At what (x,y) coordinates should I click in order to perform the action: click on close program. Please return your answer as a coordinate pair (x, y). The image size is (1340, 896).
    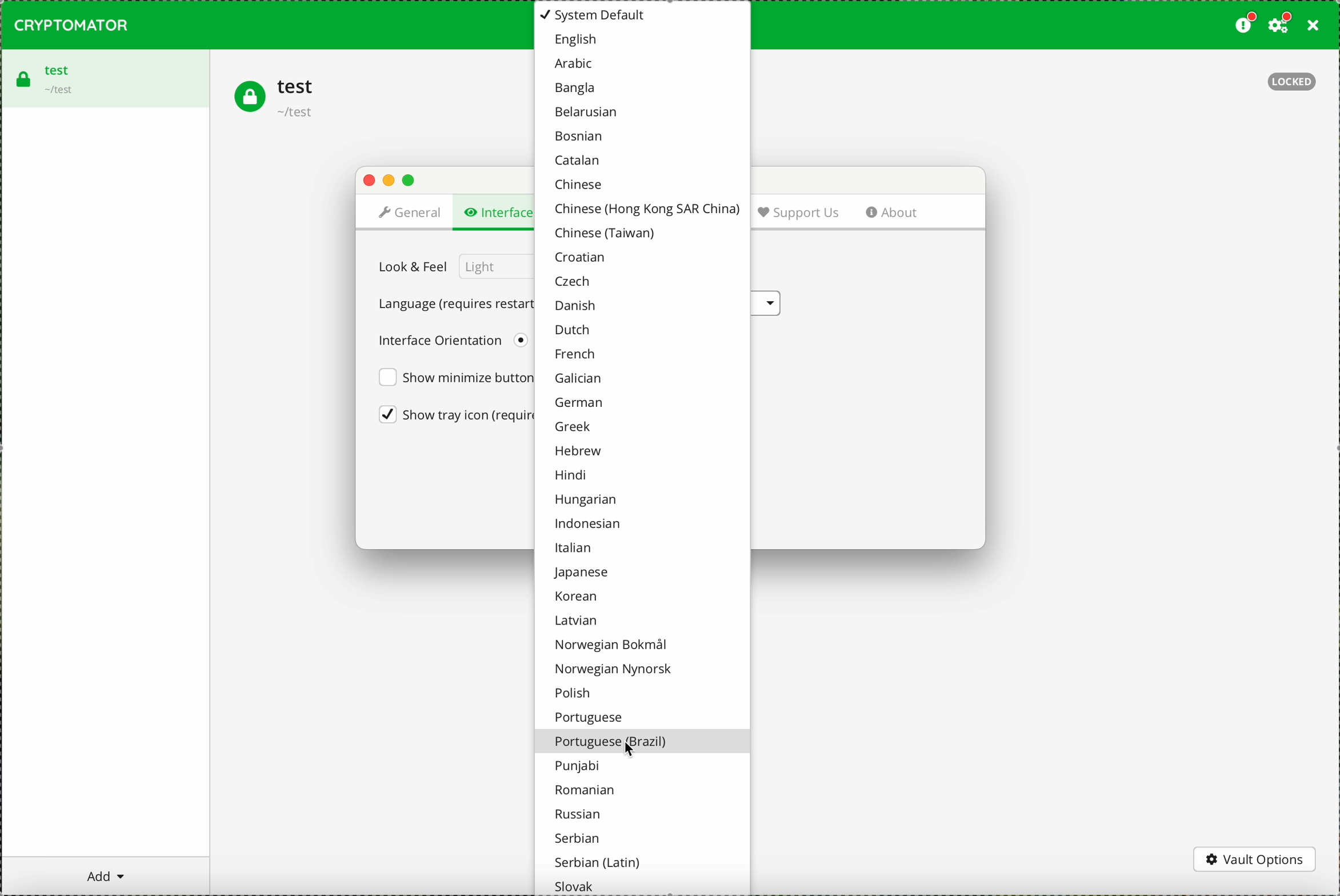
    Looking at the image, I should click on (1311, 27).